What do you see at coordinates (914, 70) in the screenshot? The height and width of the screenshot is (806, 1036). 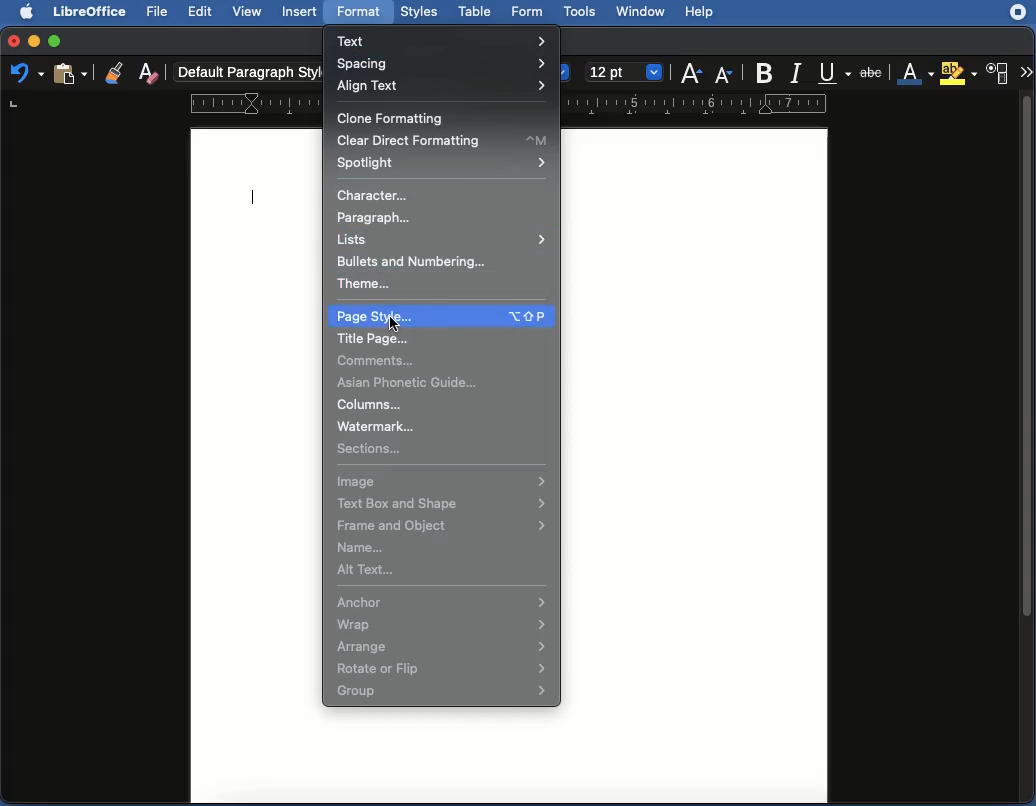 I see `Font color` at bounding box center [914, 70].